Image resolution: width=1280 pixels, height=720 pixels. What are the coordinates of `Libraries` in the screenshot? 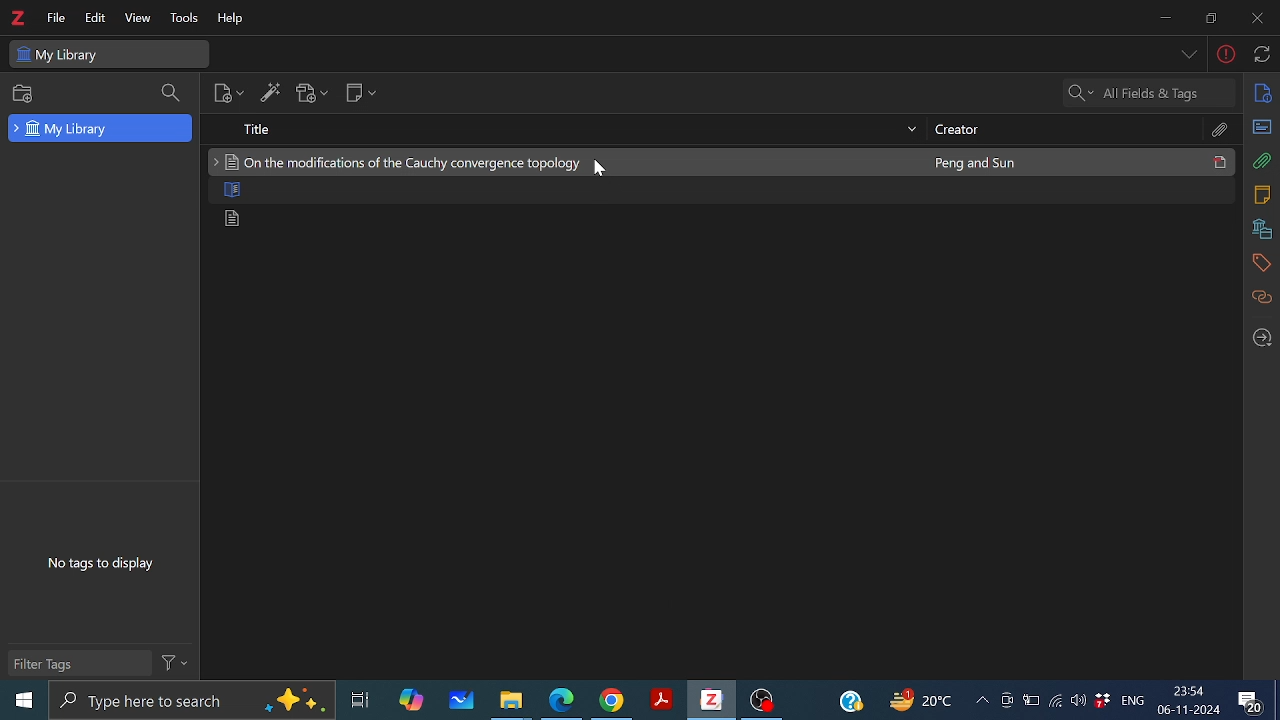 It's located at (1262, 229).